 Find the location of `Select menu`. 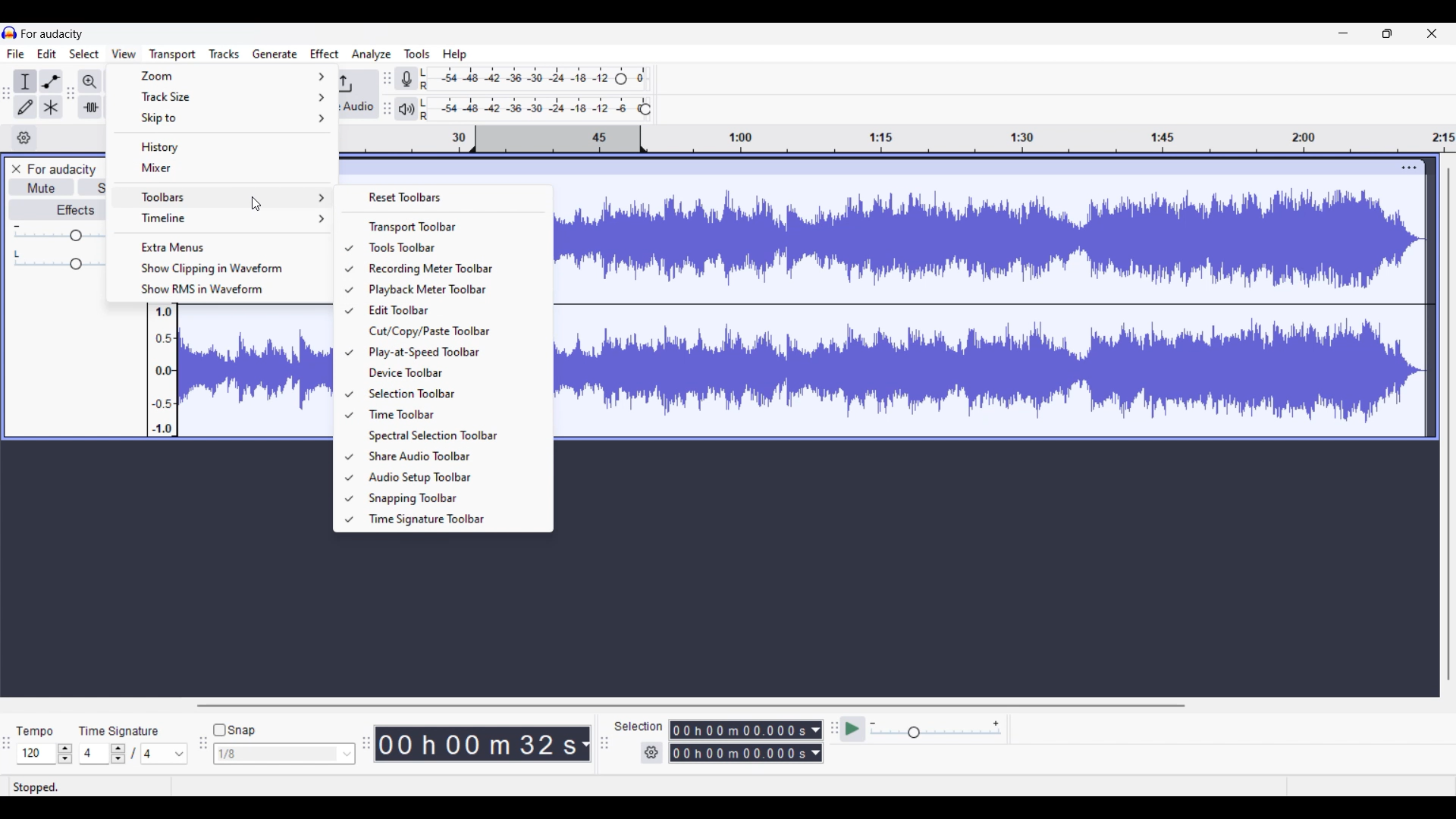

Select menu is located at coordinates (84, 54).